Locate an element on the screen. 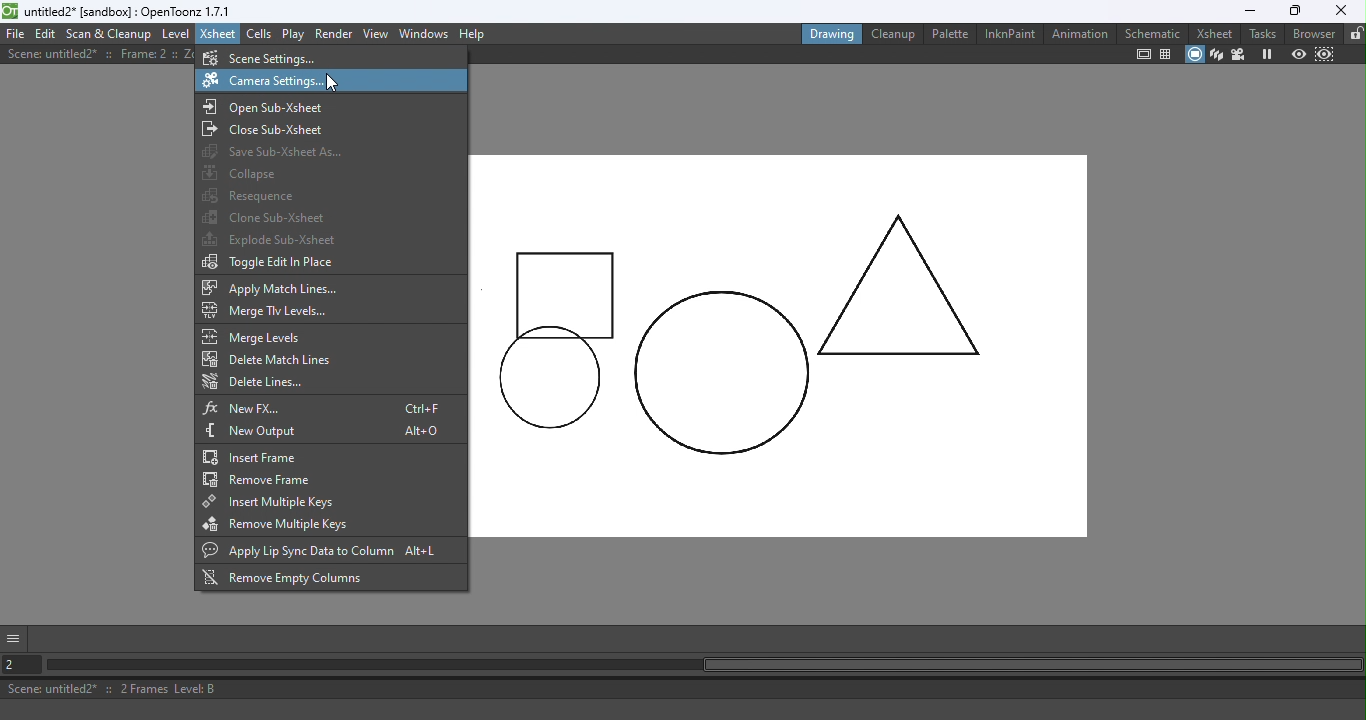  Freeze is located at coordinates (1263, 54).